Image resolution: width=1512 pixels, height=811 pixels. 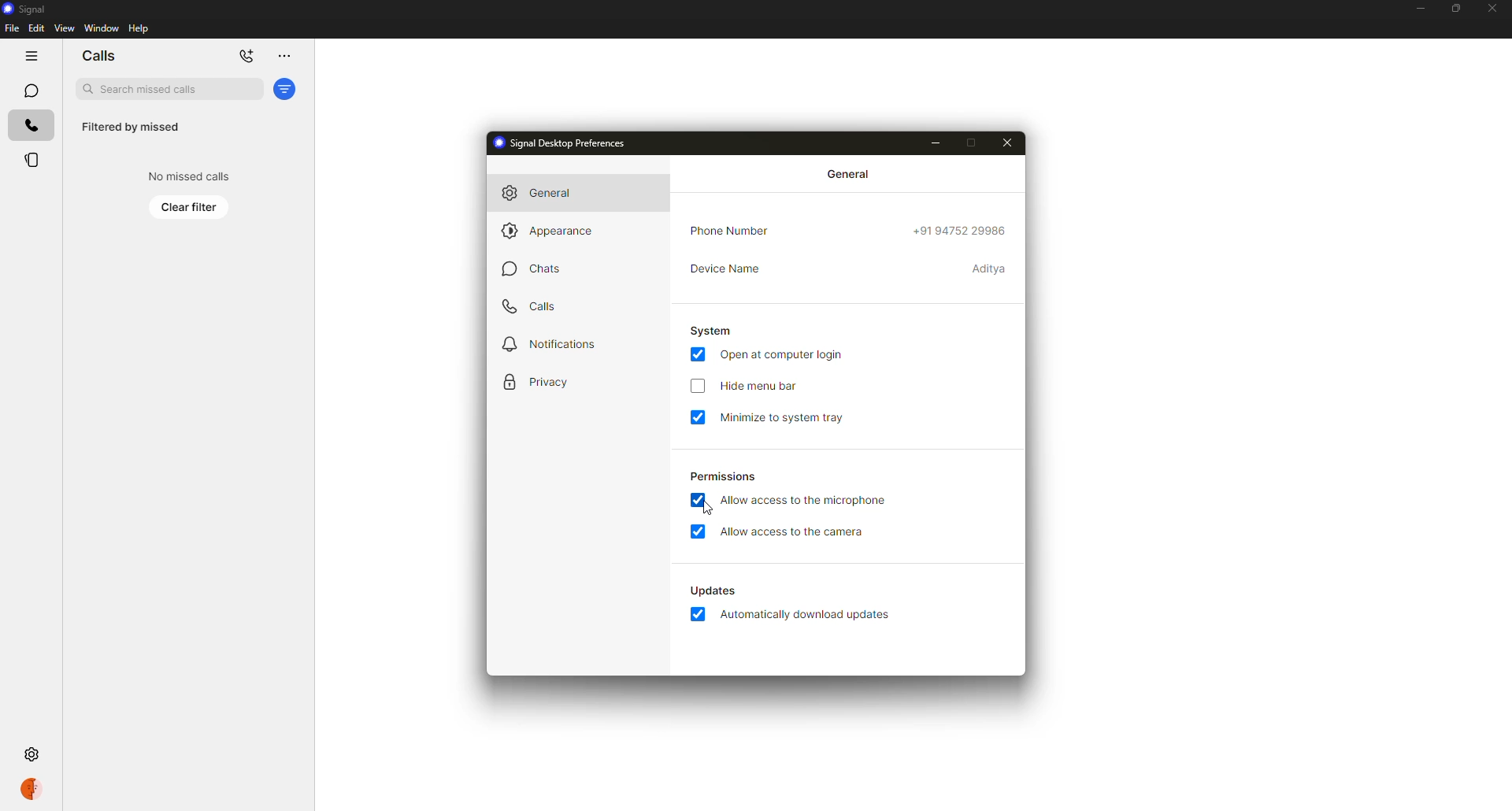 I want to click on enabled, so click(x=698, y=417).